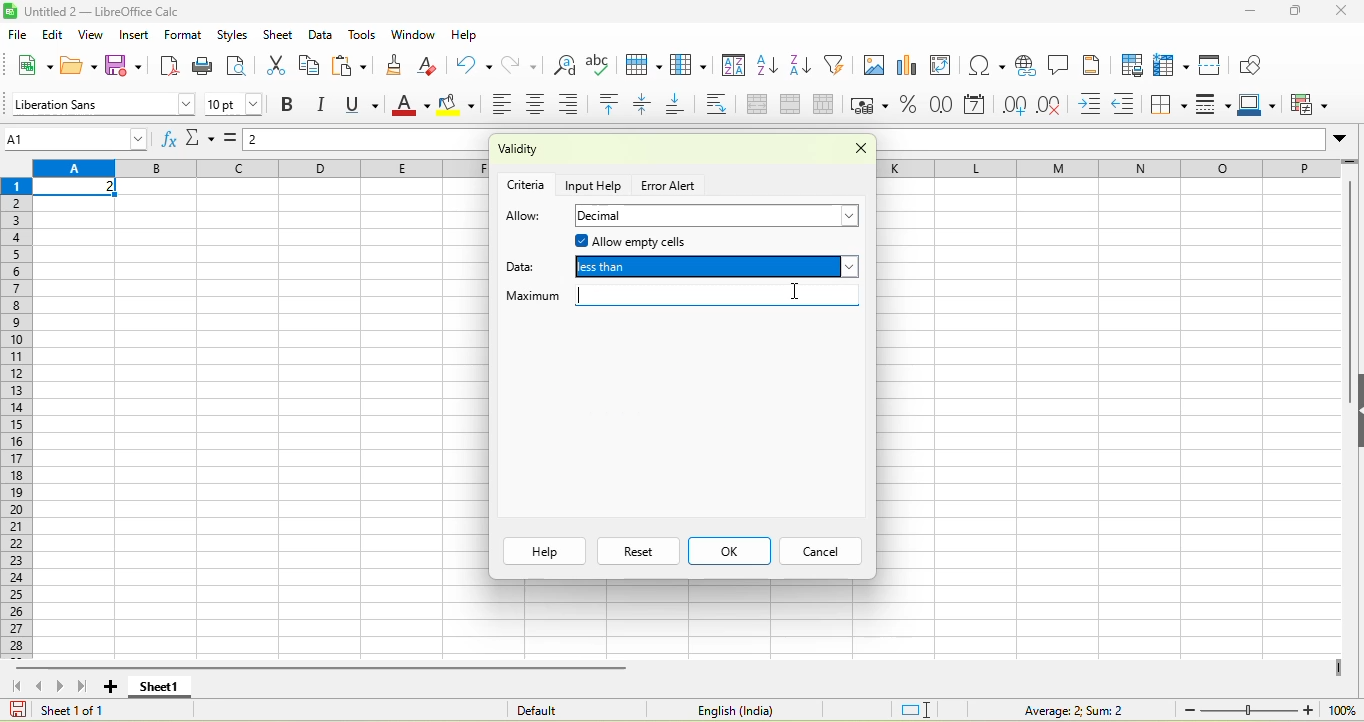 The width and height of the screenshot is (1364, 722). I want to click on sheet 1, so click(158, 687).